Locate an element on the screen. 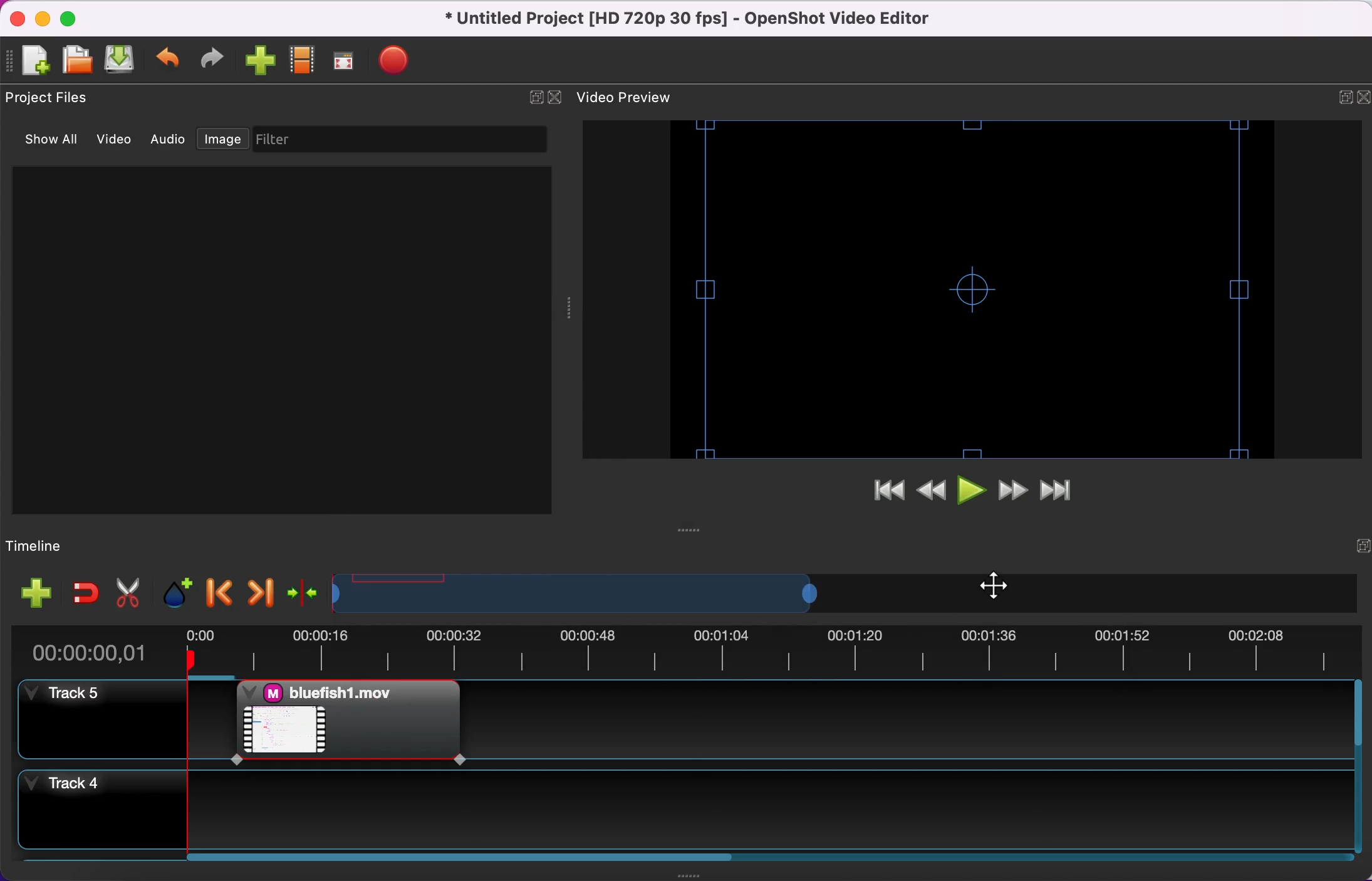 Image resolution: width=1372 pixels, height=881 pixels. jump to end is located at coordinates (1064, 489).